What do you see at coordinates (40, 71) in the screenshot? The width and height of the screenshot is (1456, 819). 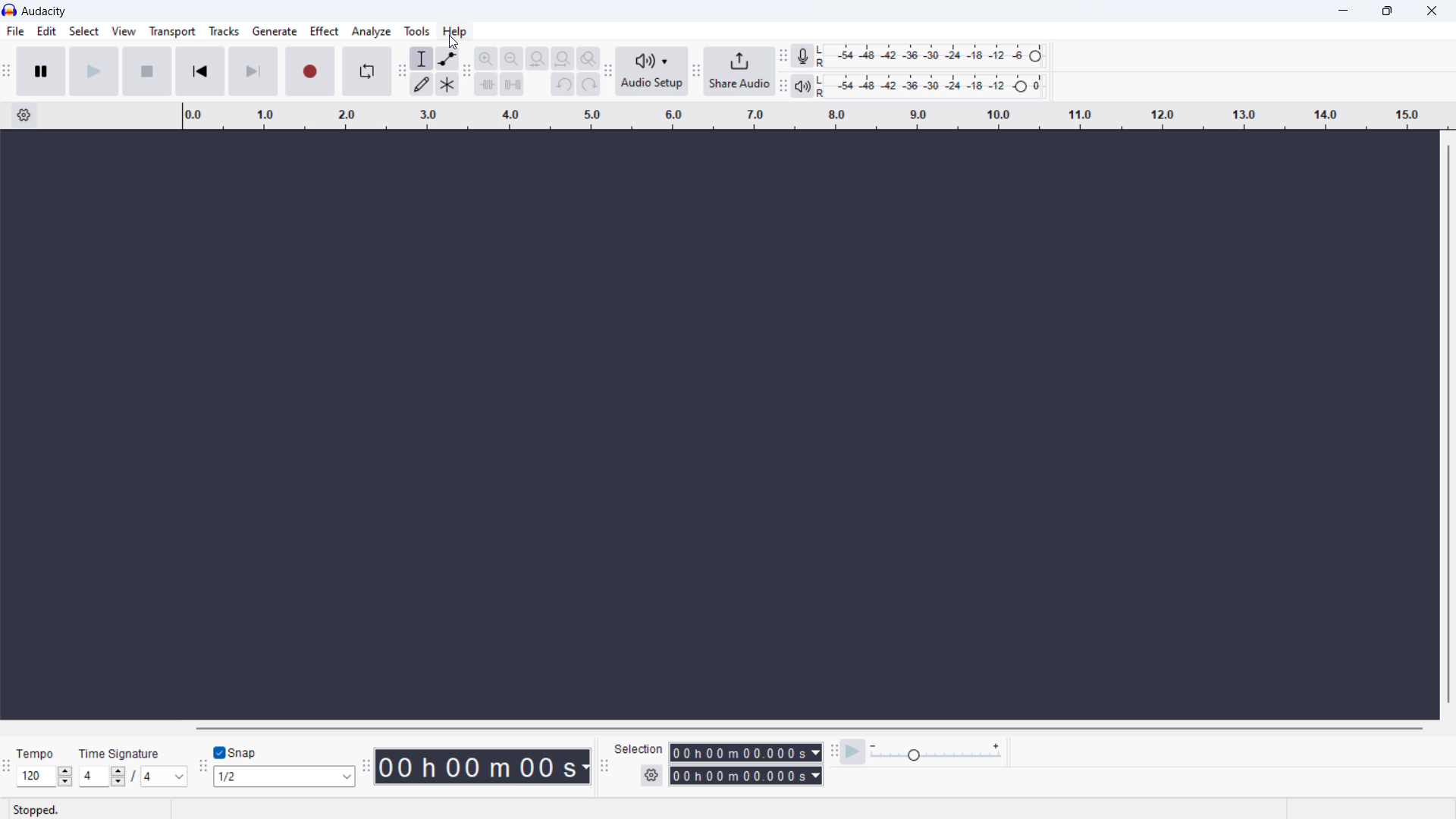 I see `pause` at bounding box center [40, 71].